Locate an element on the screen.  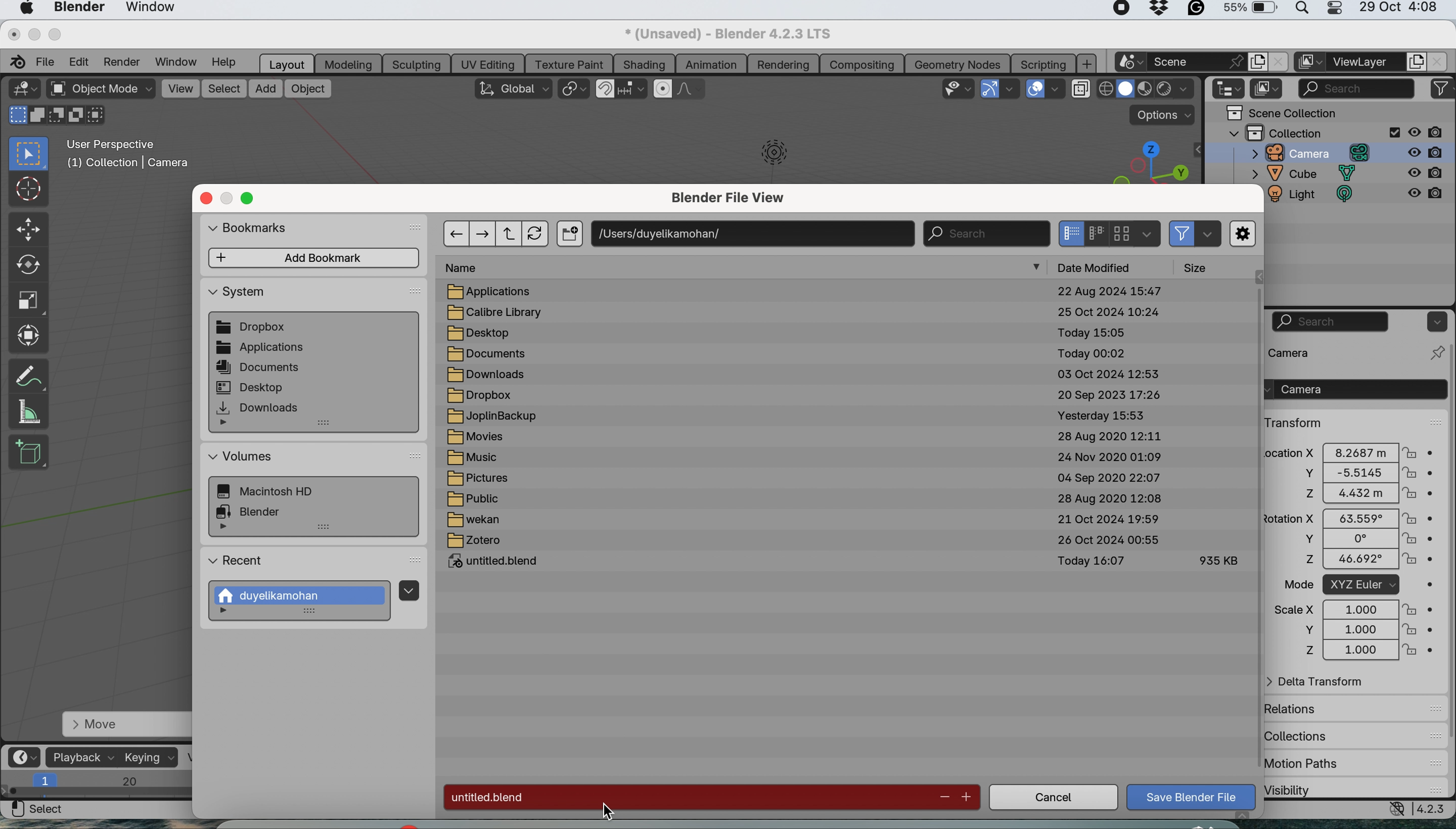
rotate is located at coordinates (27, 265).